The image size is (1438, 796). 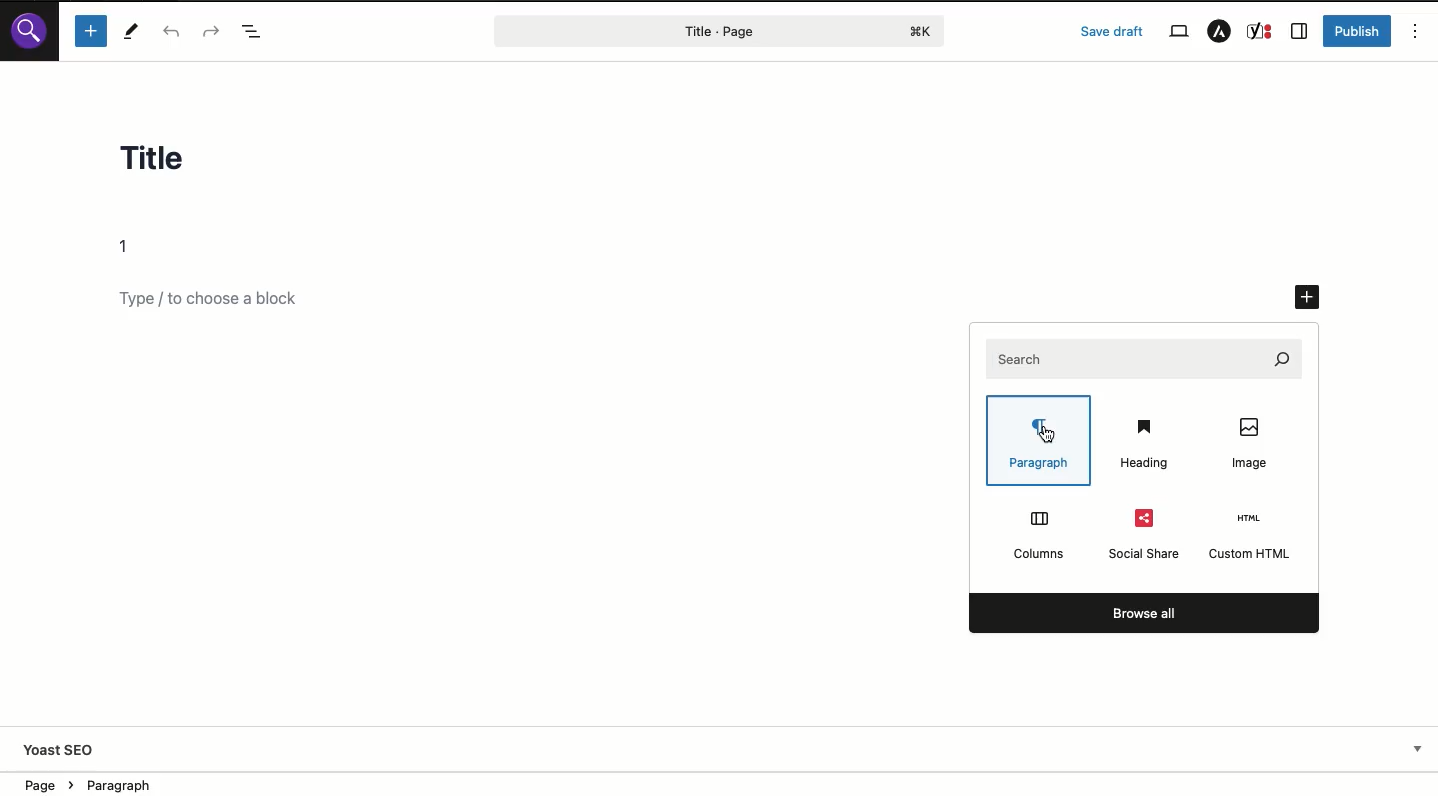 I want to click on Image, so click(x=1255, y=442).